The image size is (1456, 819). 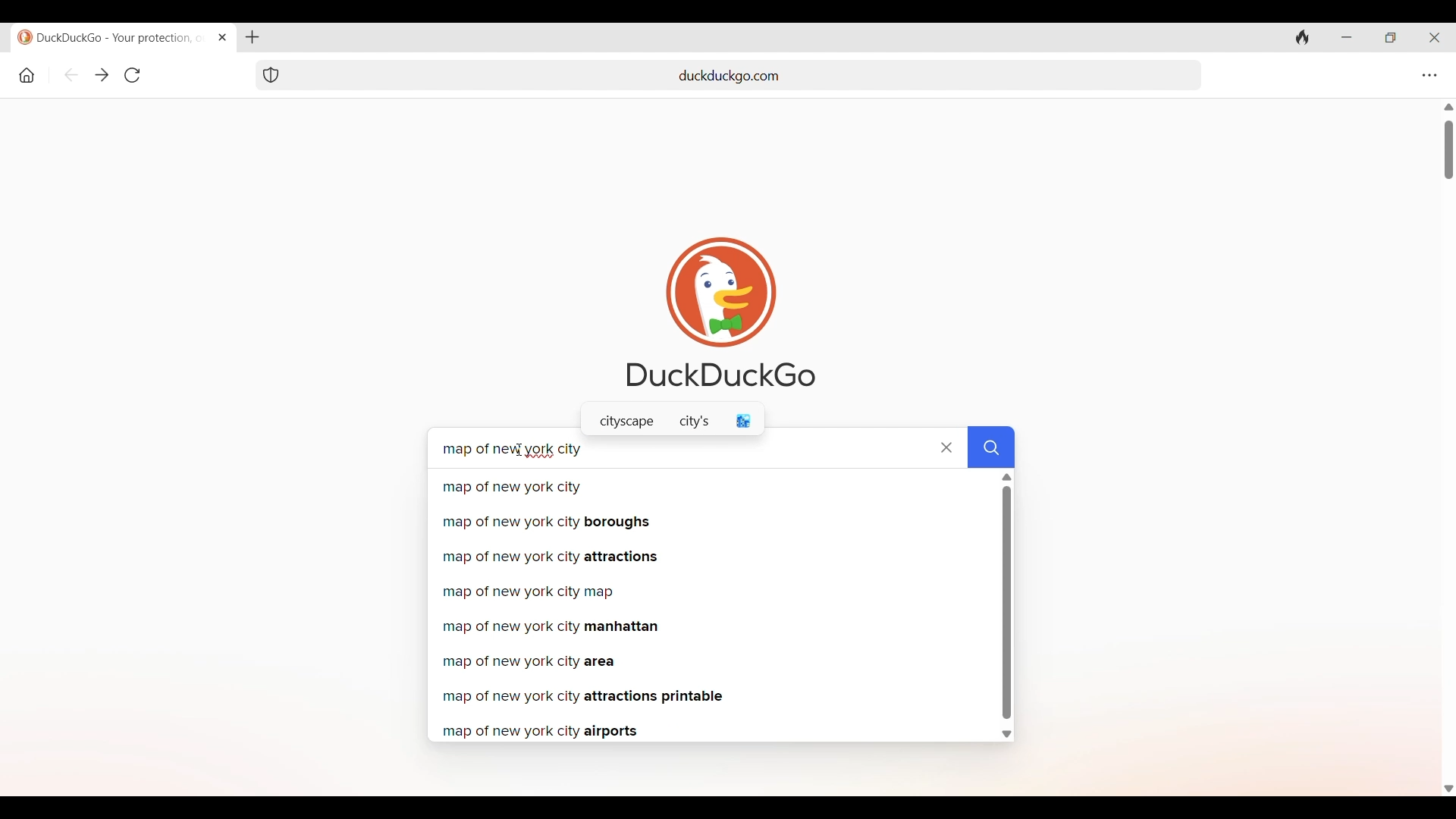 What do you see at coordinates (991, 76) in the screenshot?
I see `Search tab` at bounding box center [991, 76].